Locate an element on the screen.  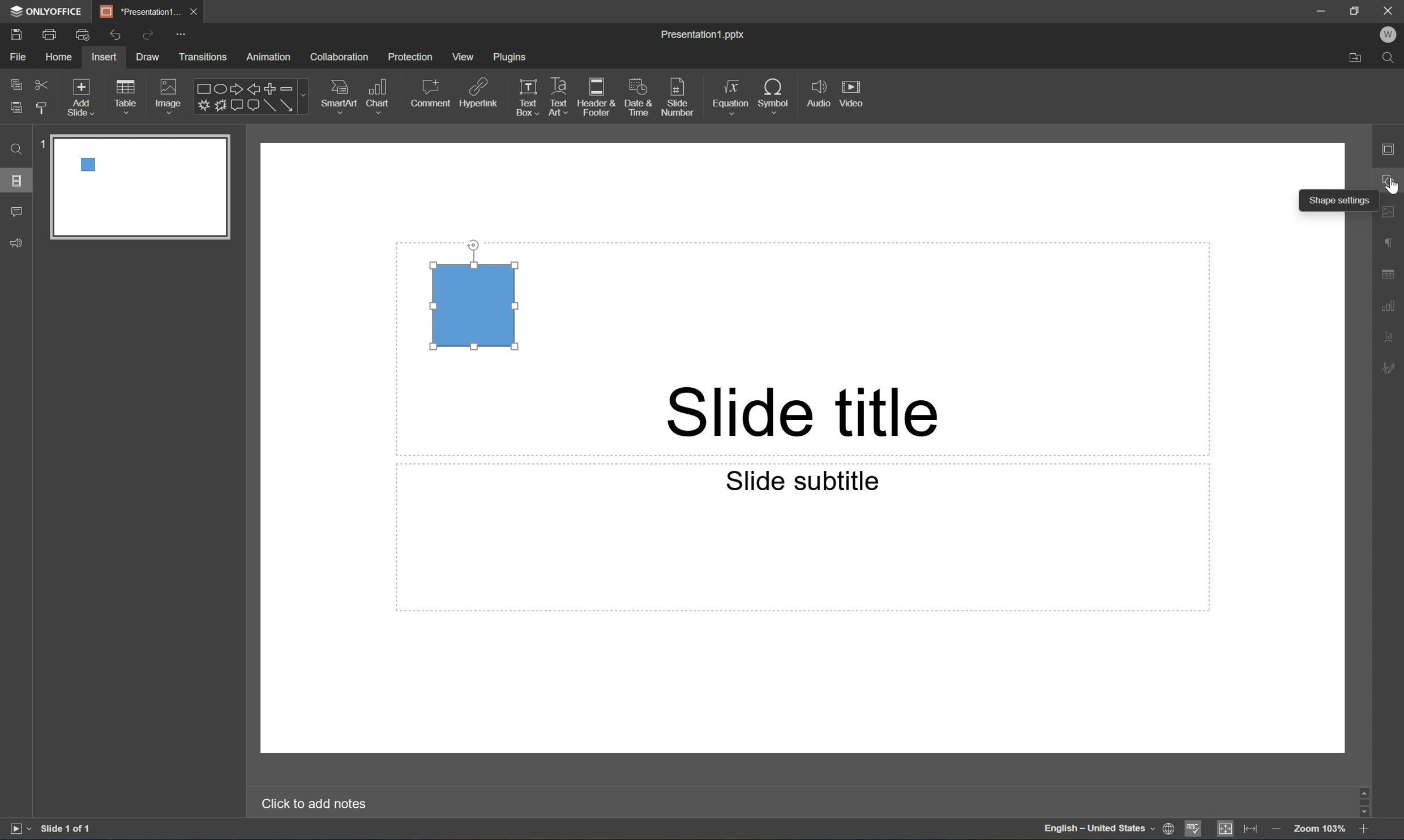
Text Box is located at coordinates (528, 98).